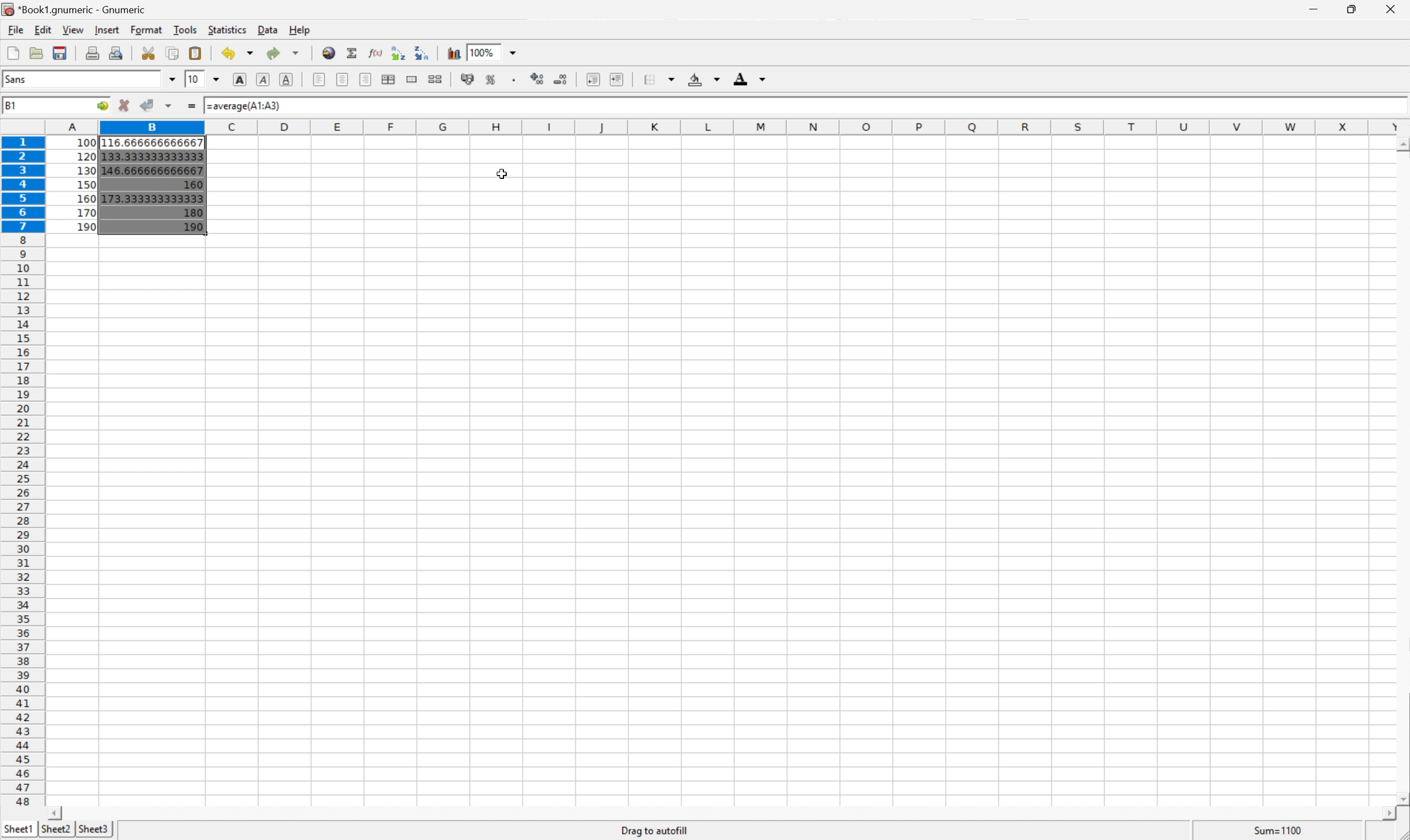 Image resolution: width=1410 pixels, height=840 pixels. I want to click on Column names, so click(725, 127).